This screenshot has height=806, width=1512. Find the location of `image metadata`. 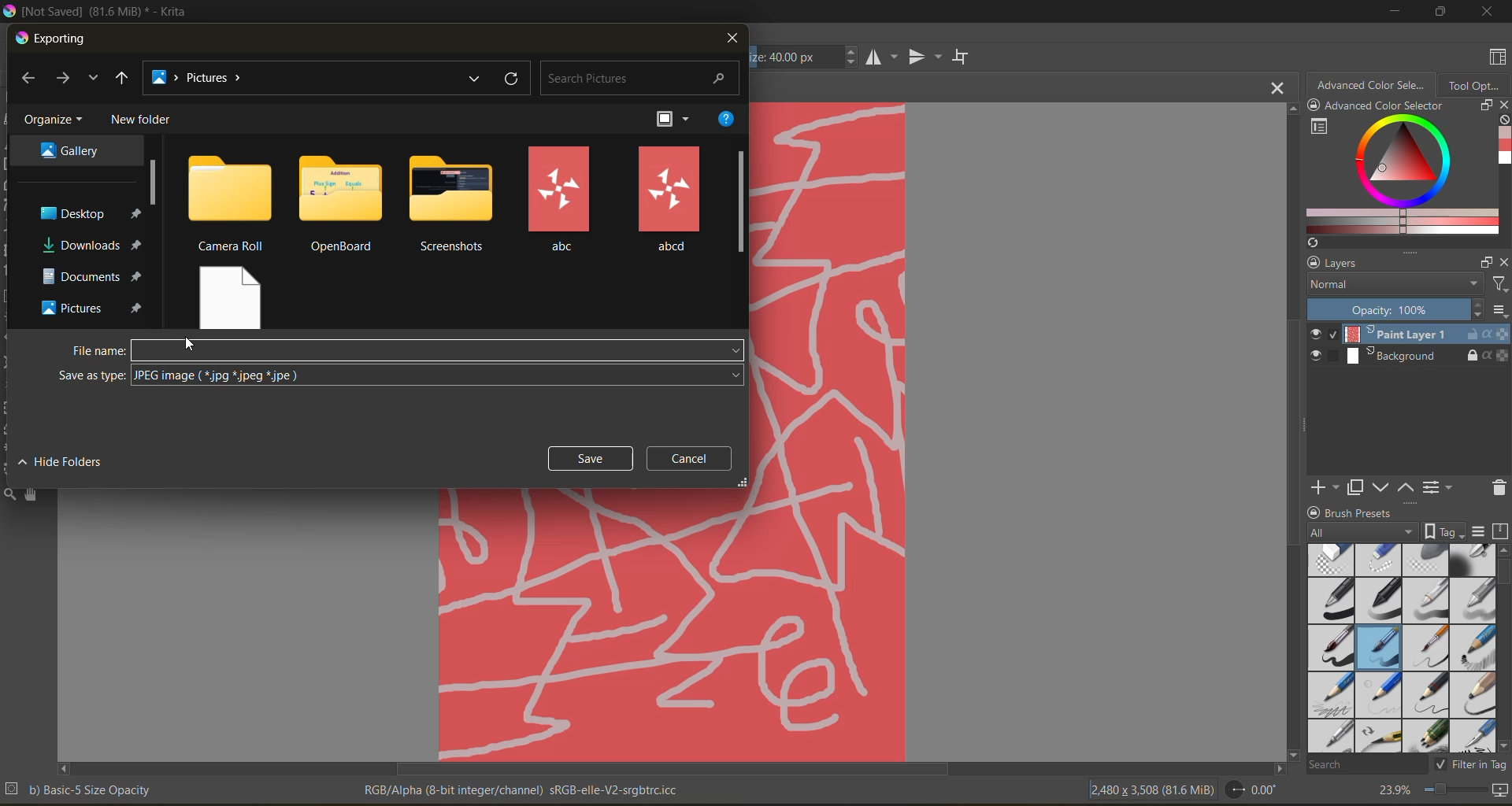

image metadata is located at coordinates (1151, 788).